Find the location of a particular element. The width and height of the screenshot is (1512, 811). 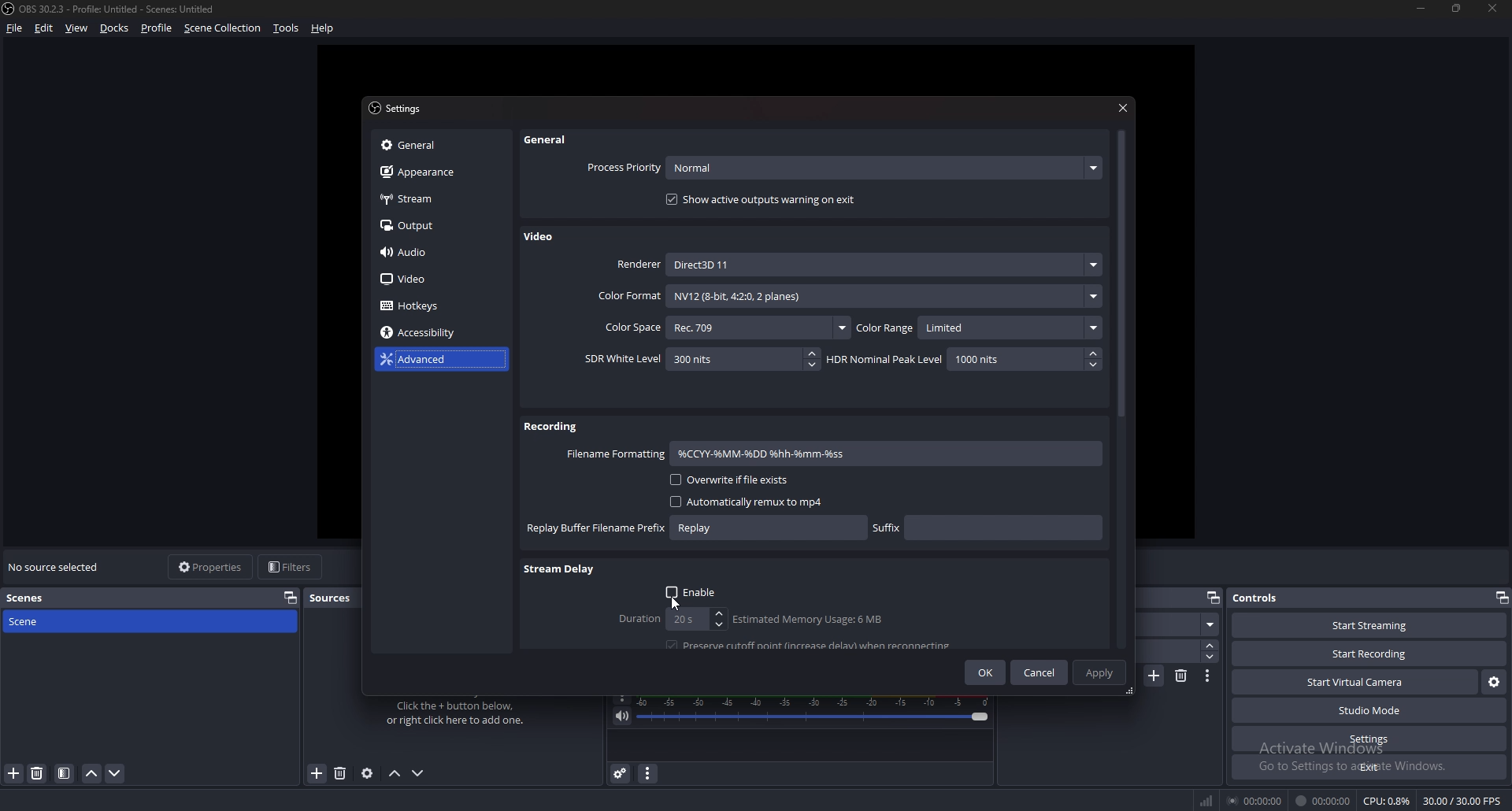

properties is located at coordinates (211, 566).